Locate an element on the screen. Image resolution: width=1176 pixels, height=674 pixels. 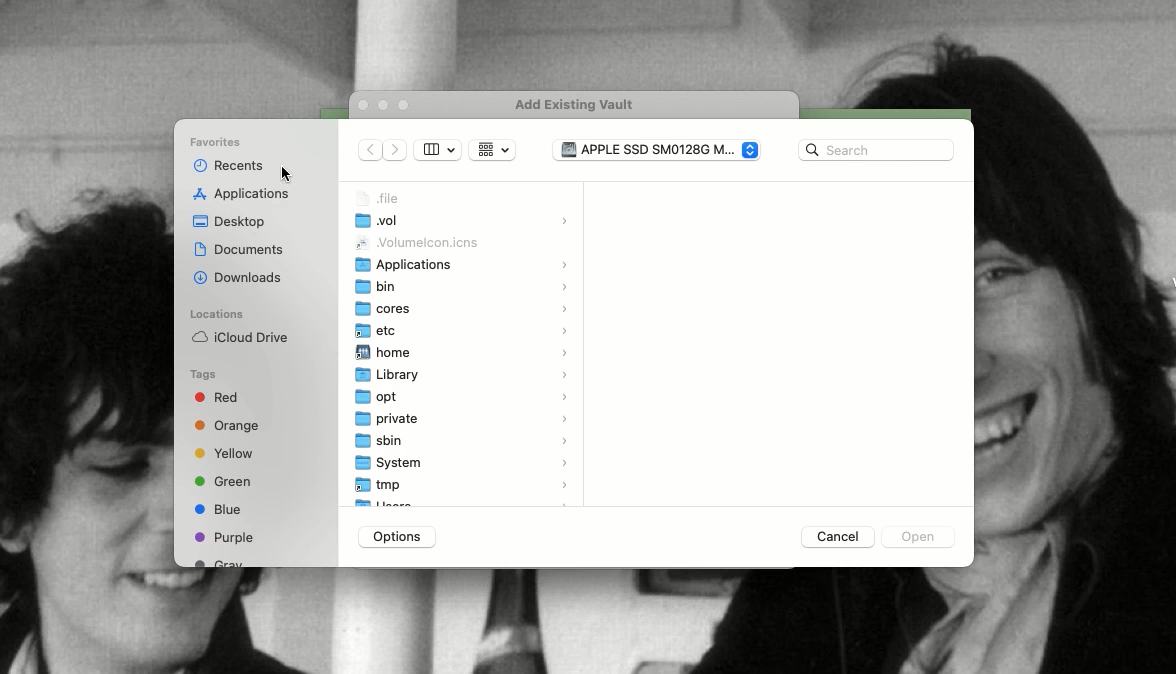
Documents is located at coordinates (239, 249).